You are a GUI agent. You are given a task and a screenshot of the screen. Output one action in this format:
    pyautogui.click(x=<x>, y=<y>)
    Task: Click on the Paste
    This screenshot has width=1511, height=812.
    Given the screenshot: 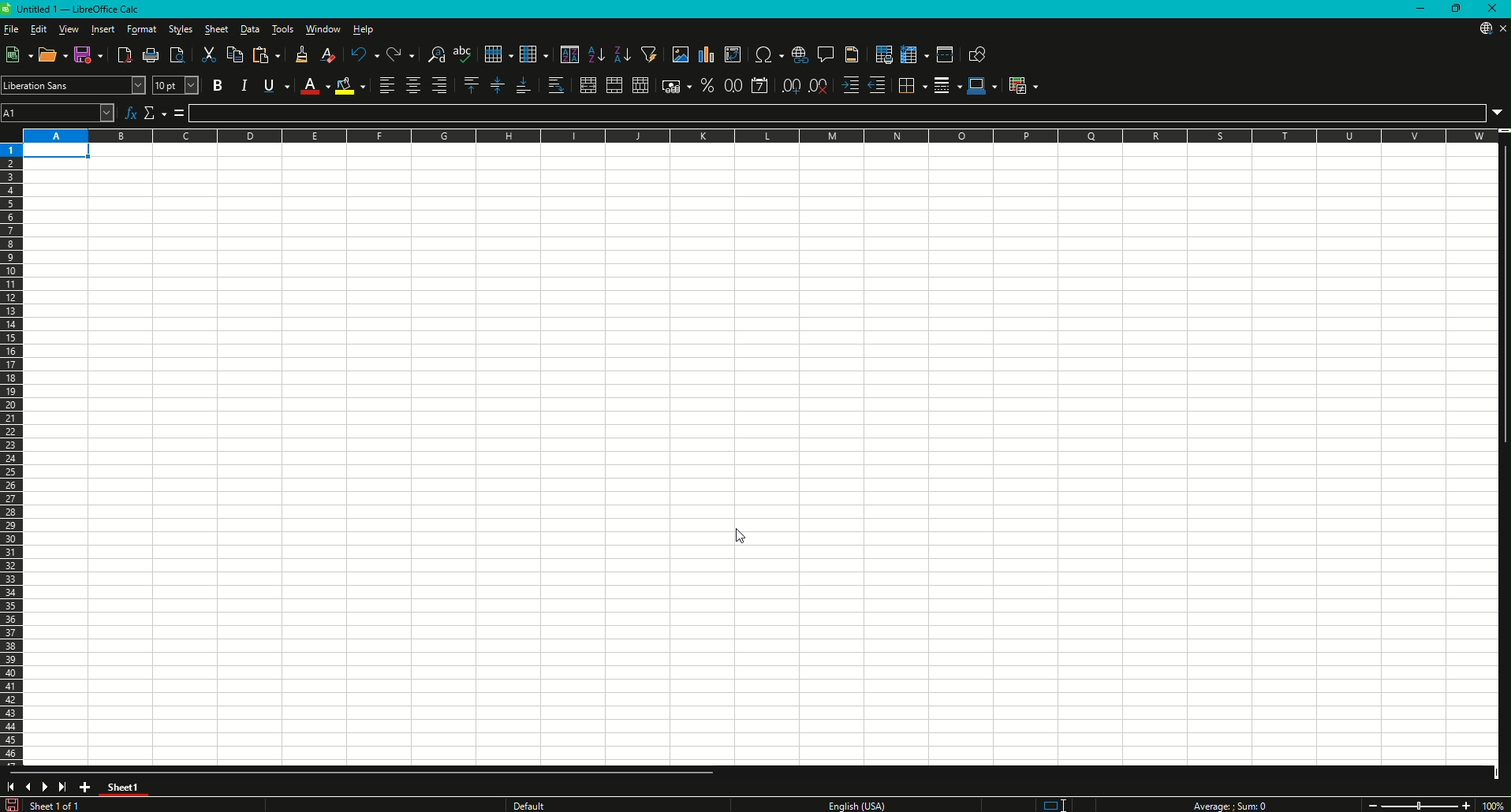 What is the action you would take?
    pyautogui.click(x=267, y=54)
    